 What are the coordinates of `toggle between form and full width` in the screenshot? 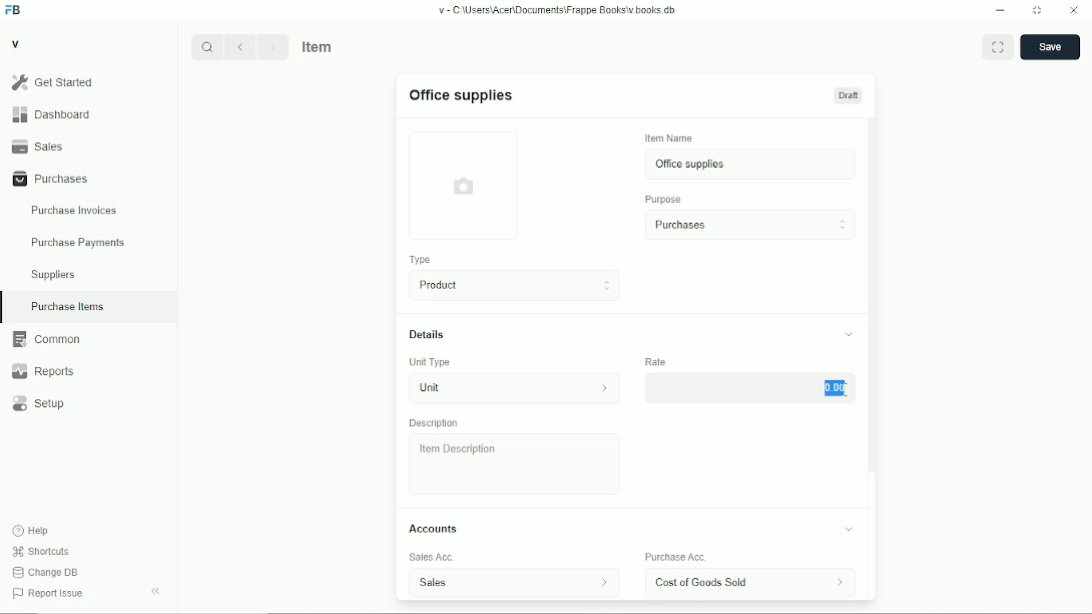 It's located at (998, 46).